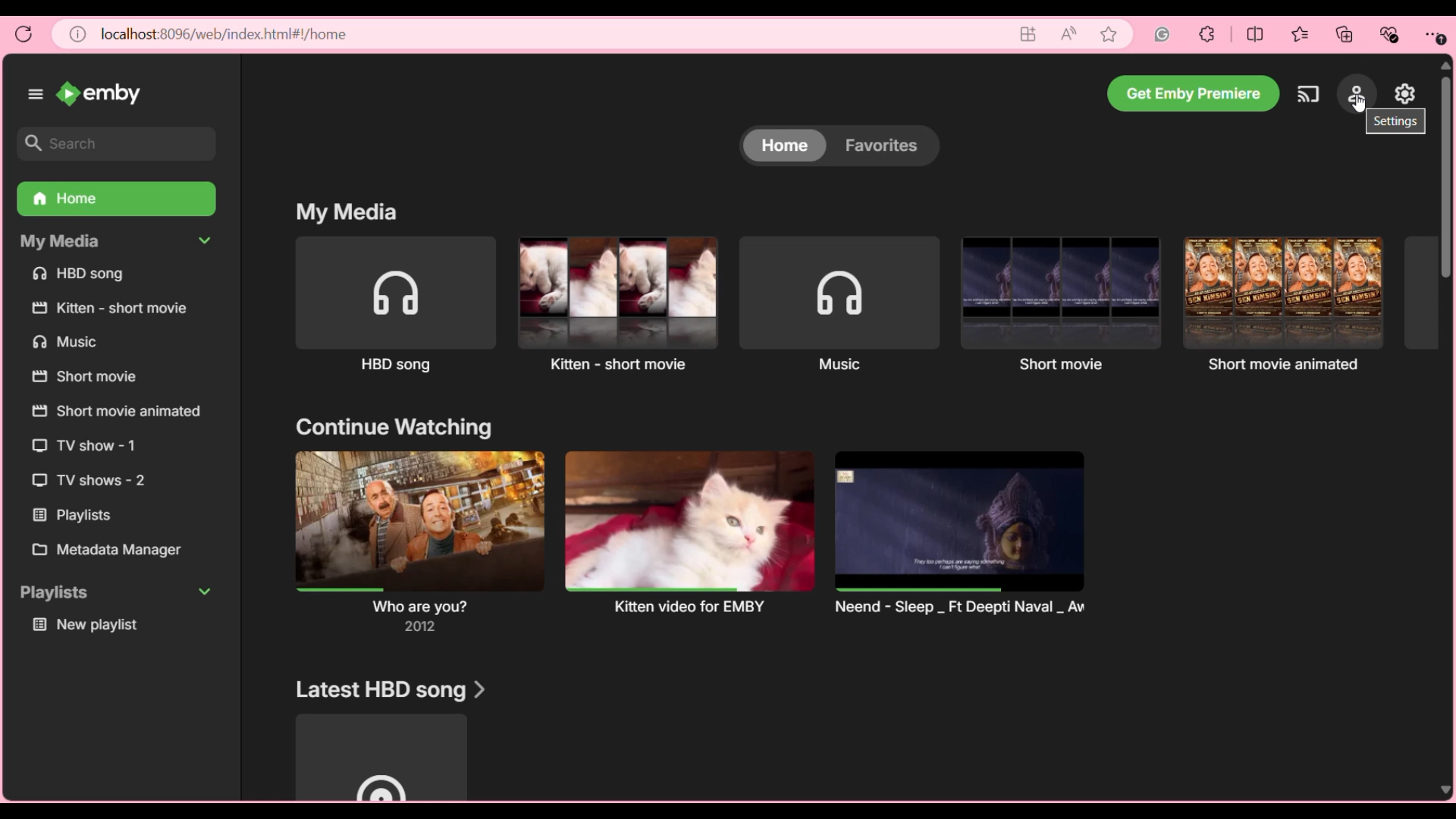 The image size is (1456, 819). What do you see at coordinates (887, 146) in the screenshot?
I see `Favorites` at bounding box center [887, 146].